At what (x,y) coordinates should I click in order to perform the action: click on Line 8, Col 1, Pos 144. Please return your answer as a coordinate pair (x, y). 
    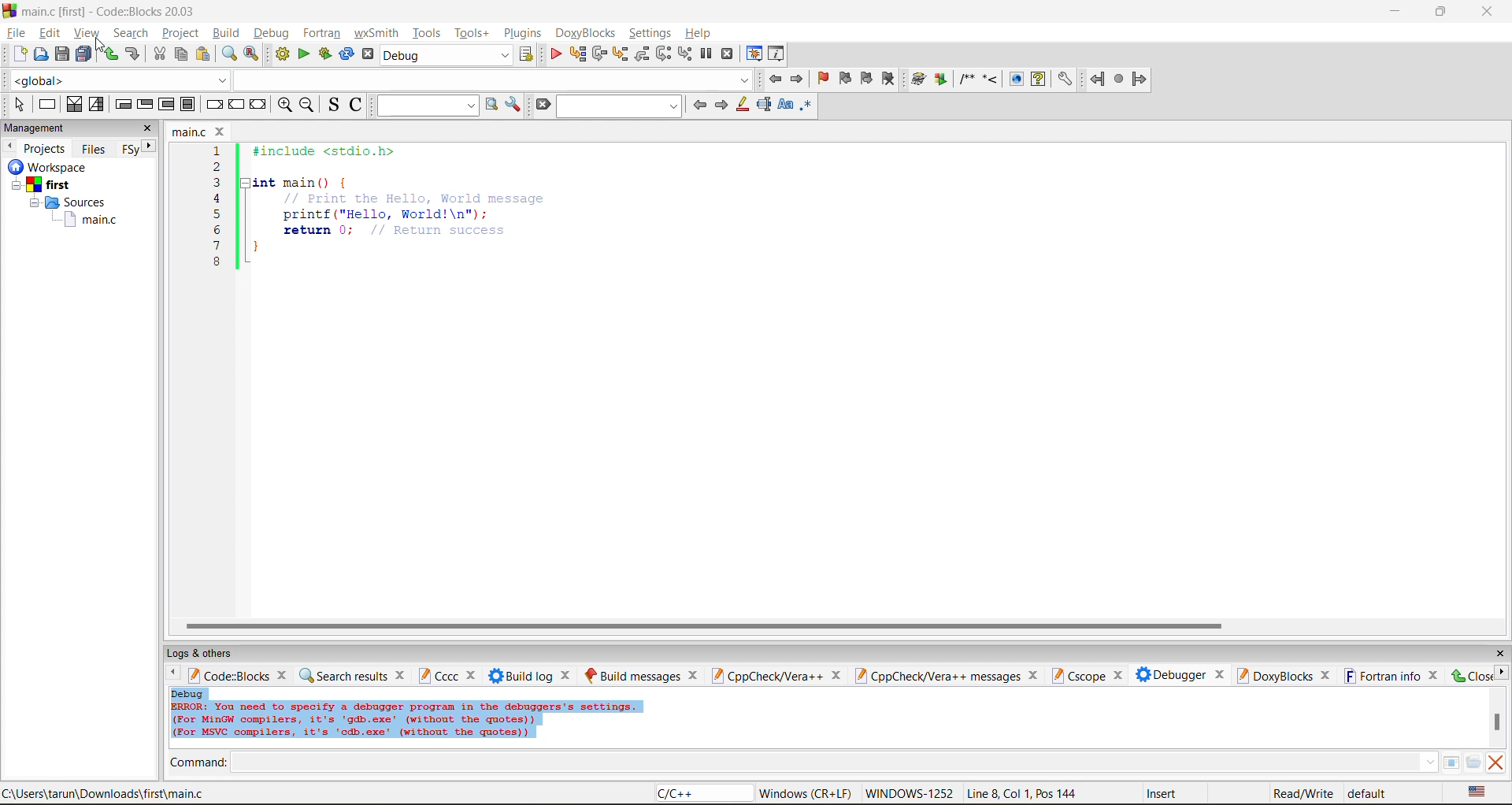
    Looking at the image, I should click on (1021, 793).